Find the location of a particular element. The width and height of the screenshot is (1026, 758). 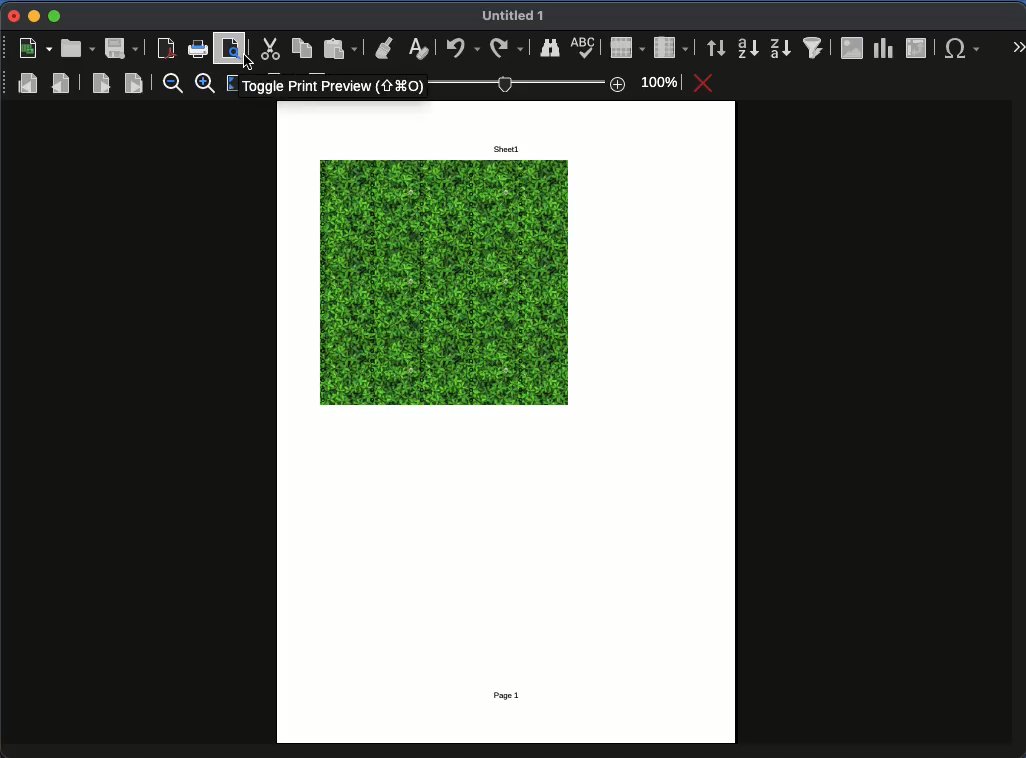

image is located at coordinates (852, 47).